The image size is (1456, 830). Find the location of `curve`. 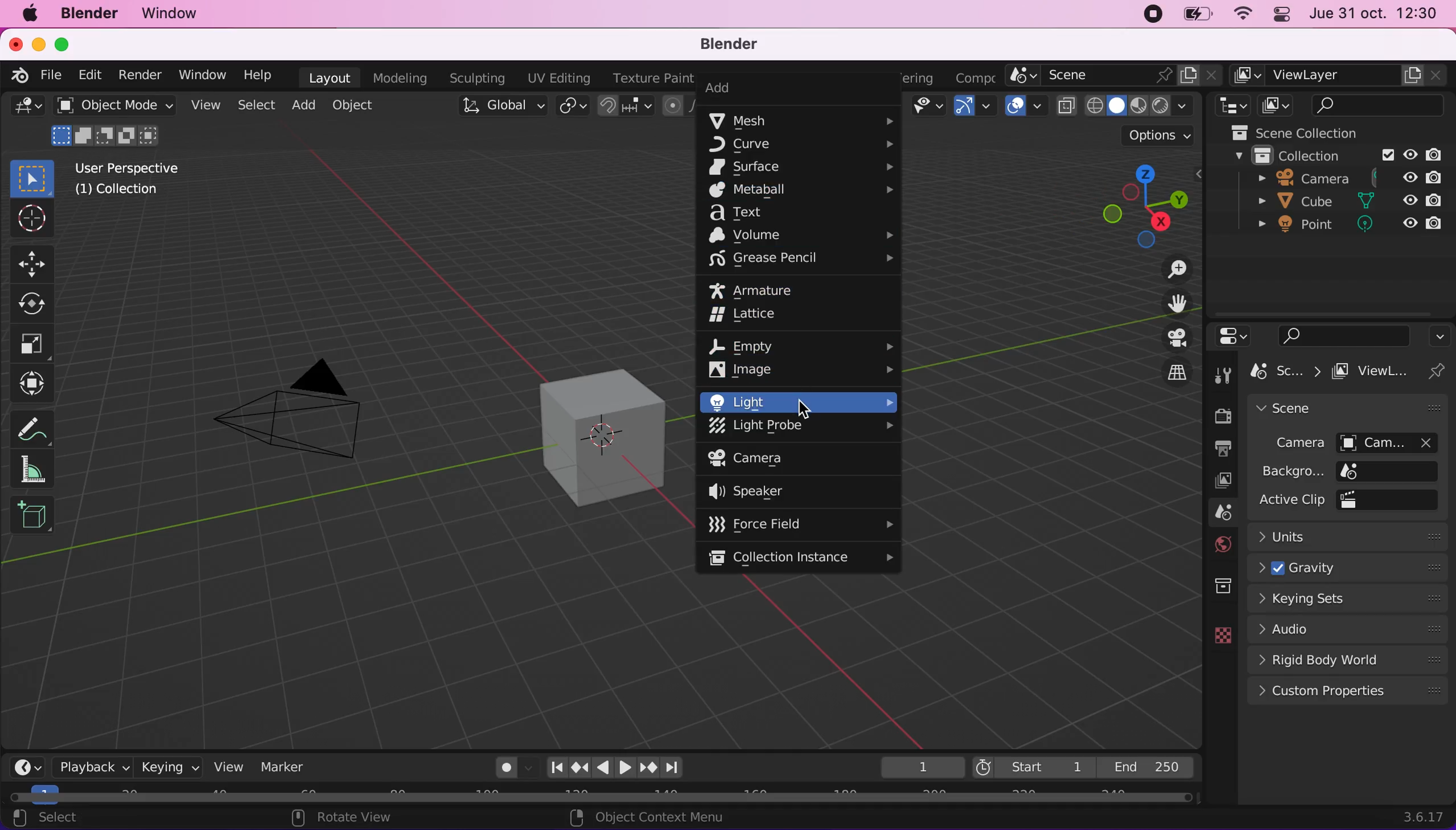

curve is located at coordinates (805, 146).